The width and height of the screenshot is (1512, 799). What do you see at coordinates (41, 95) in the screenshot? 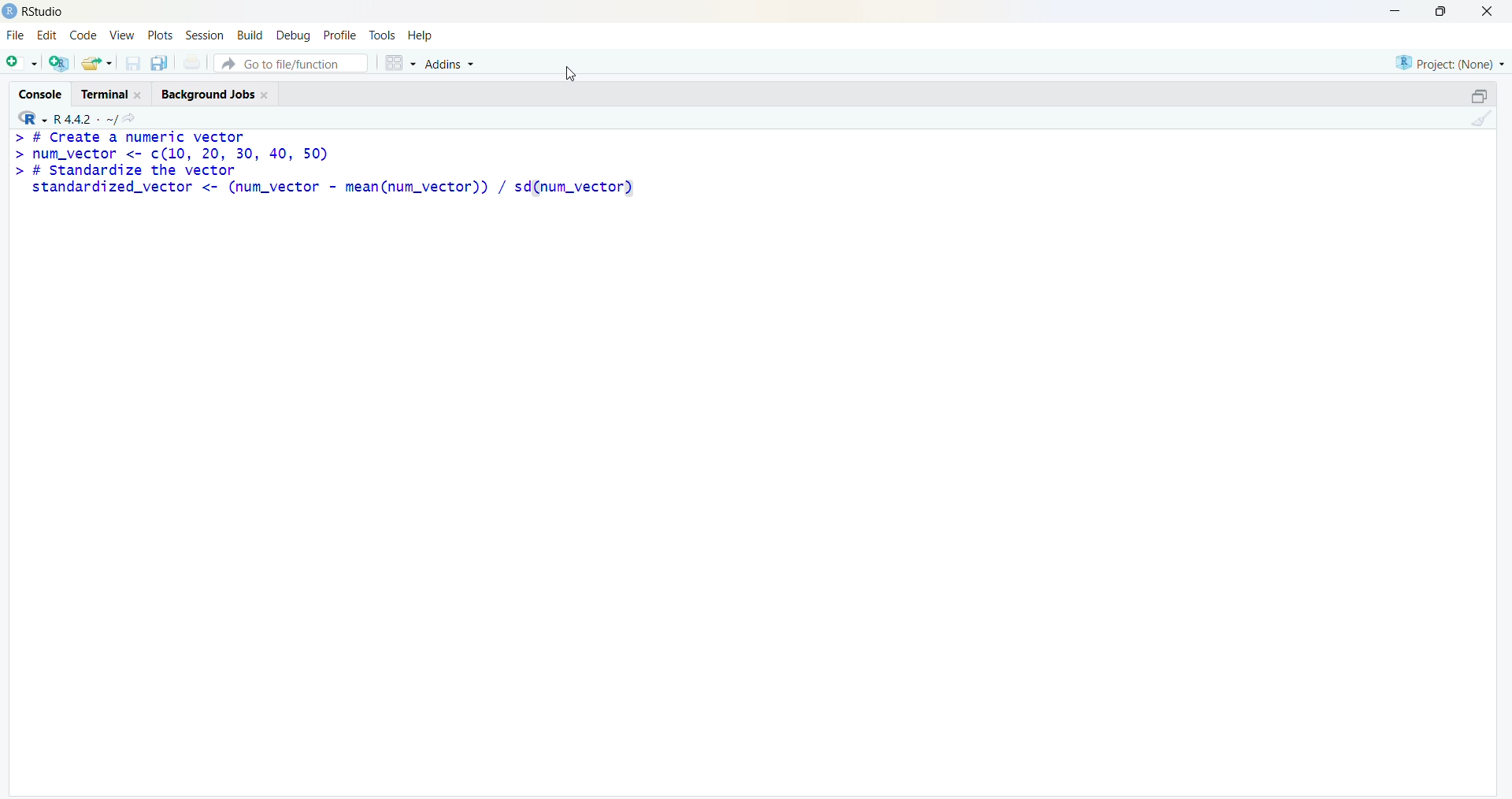
I see `console` at bounding box center [41, 95].